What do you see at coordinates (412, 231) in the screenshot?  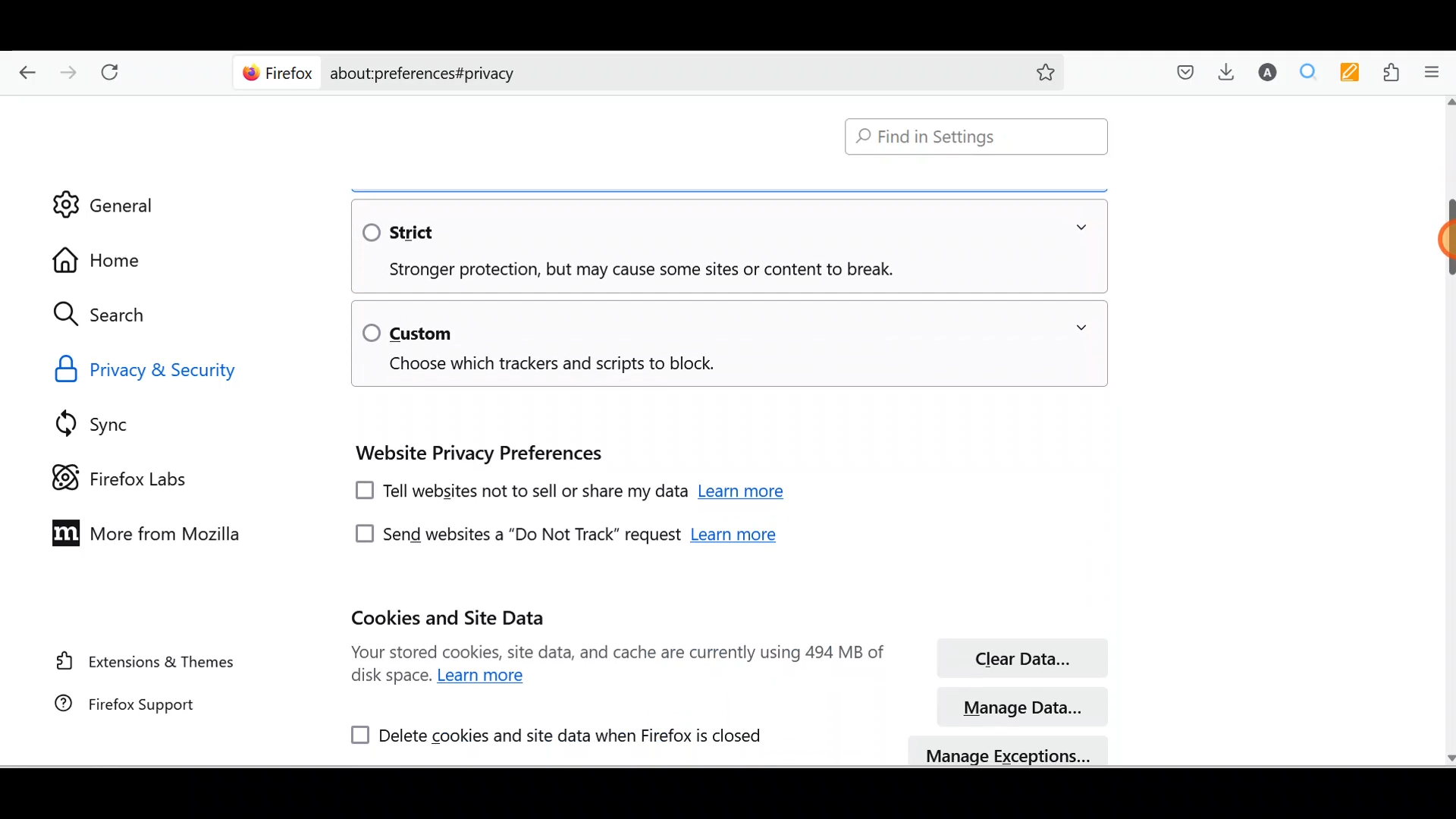 I see `Strict` at bounding box center [412, 231].